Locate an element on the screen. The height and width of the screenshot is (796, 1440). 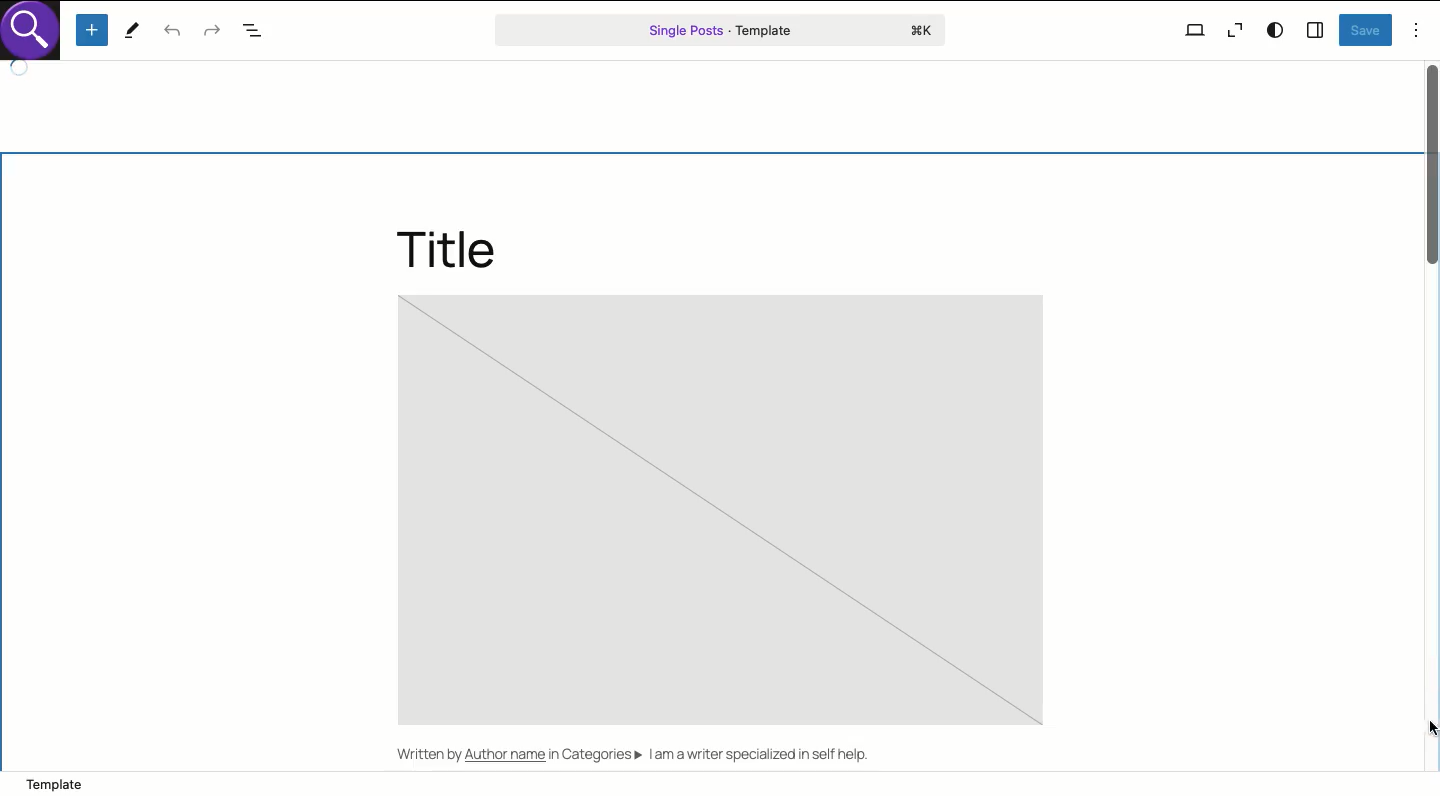
Save is located at coordinates (1366, 30).